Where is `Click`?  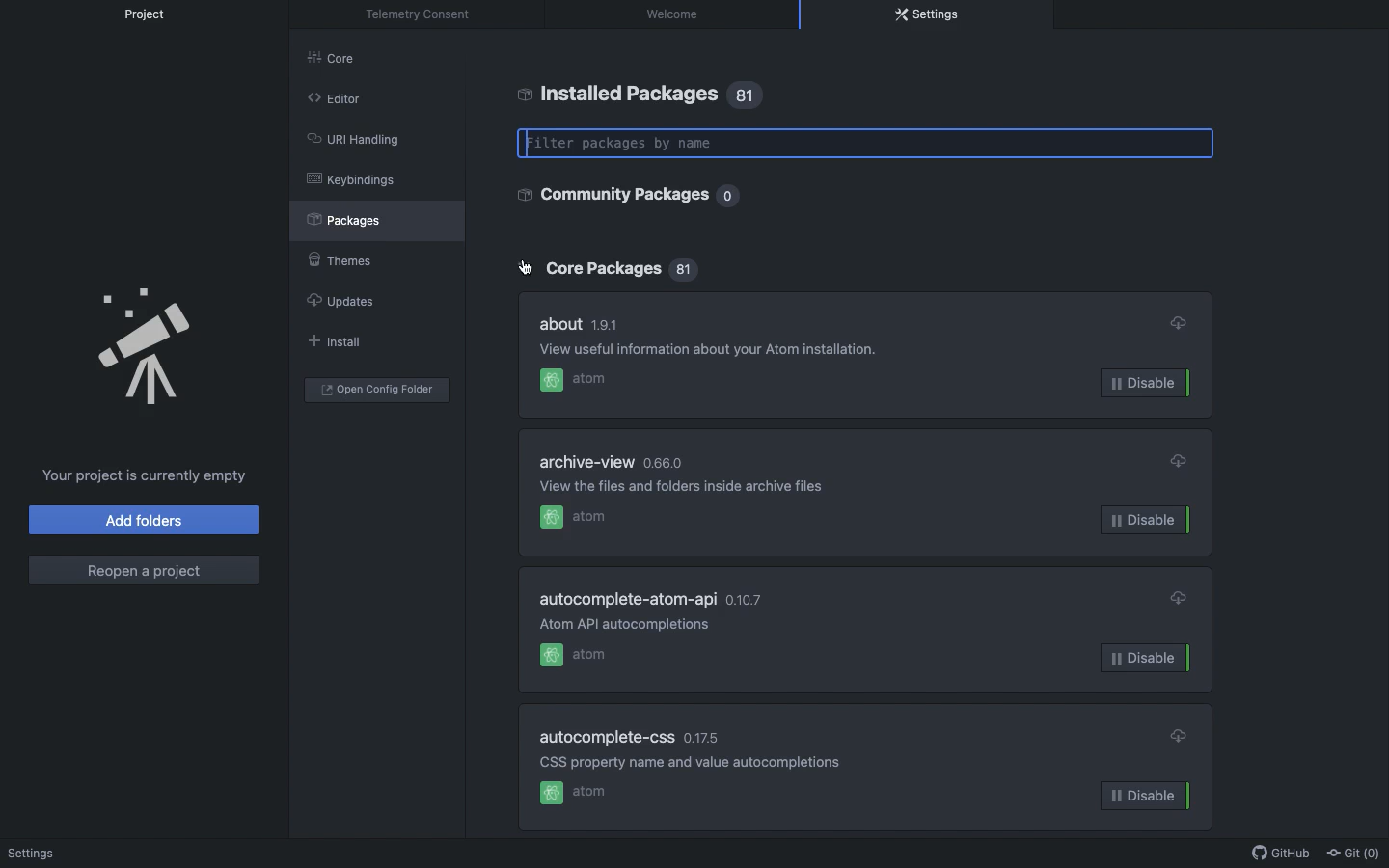 Click is located at coordinates (524, 268).